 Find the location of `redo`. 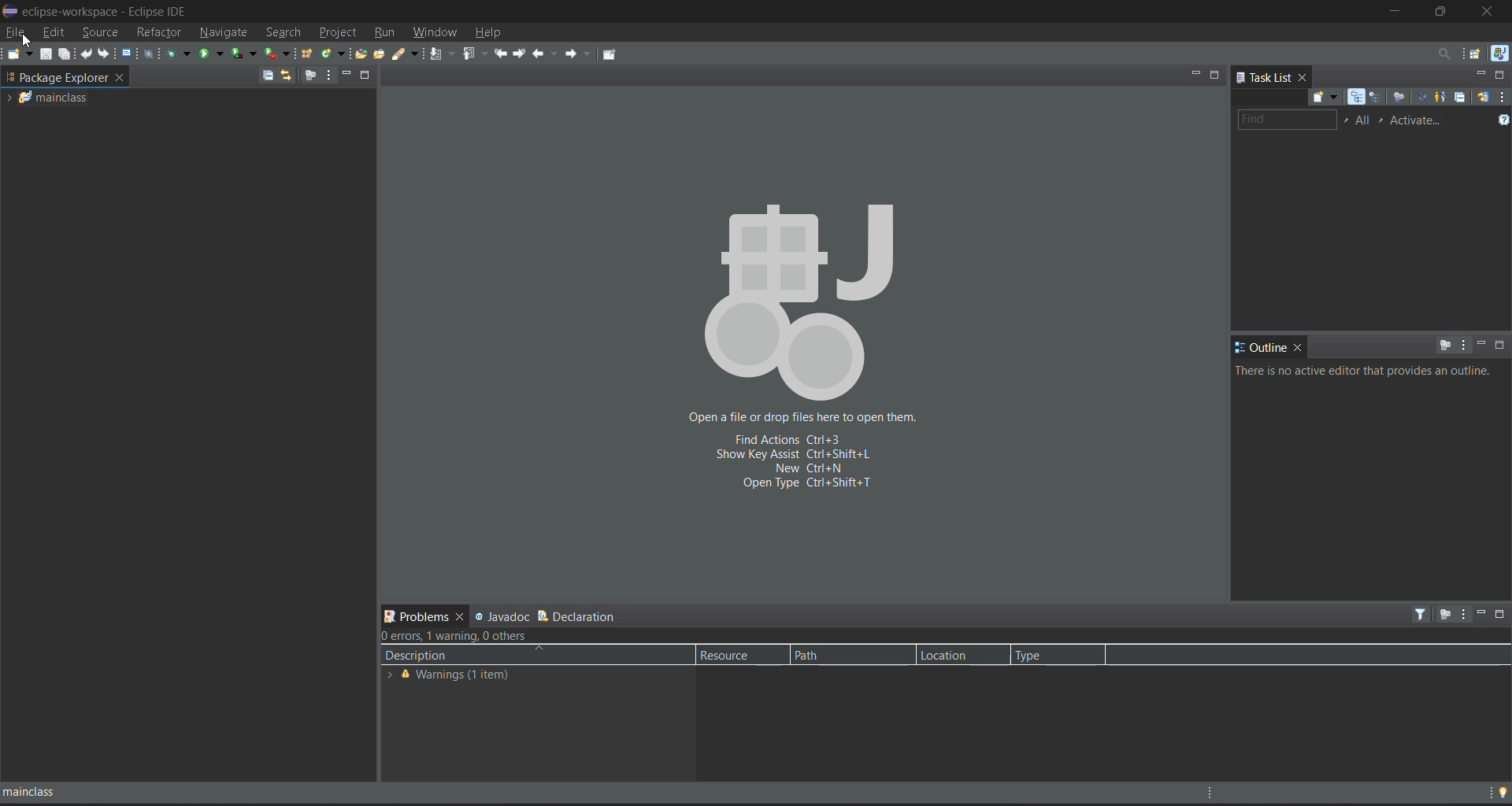

redo is located at coordinates (105, 53).